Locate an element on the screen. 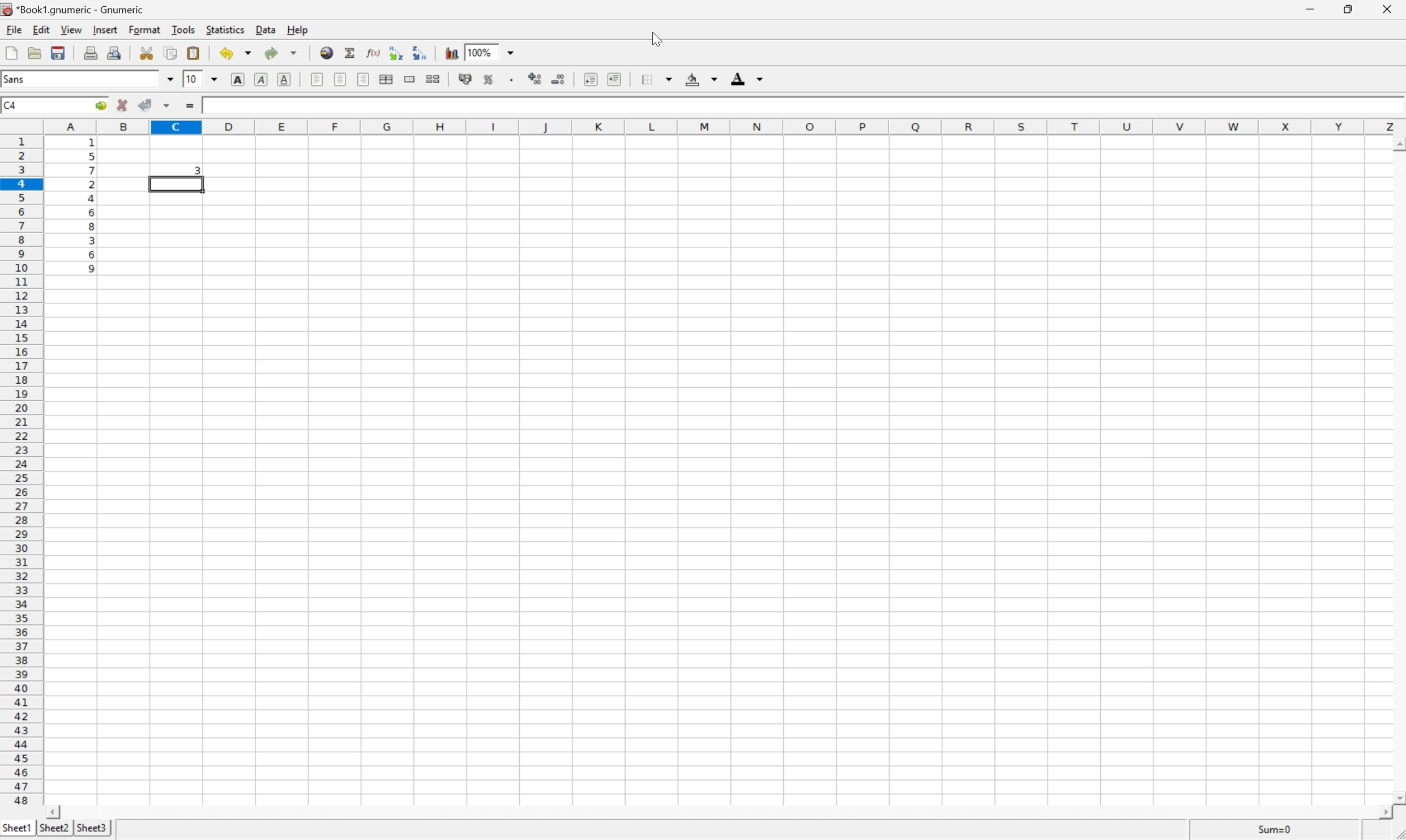  print preview is located at coordinates (113, 52).